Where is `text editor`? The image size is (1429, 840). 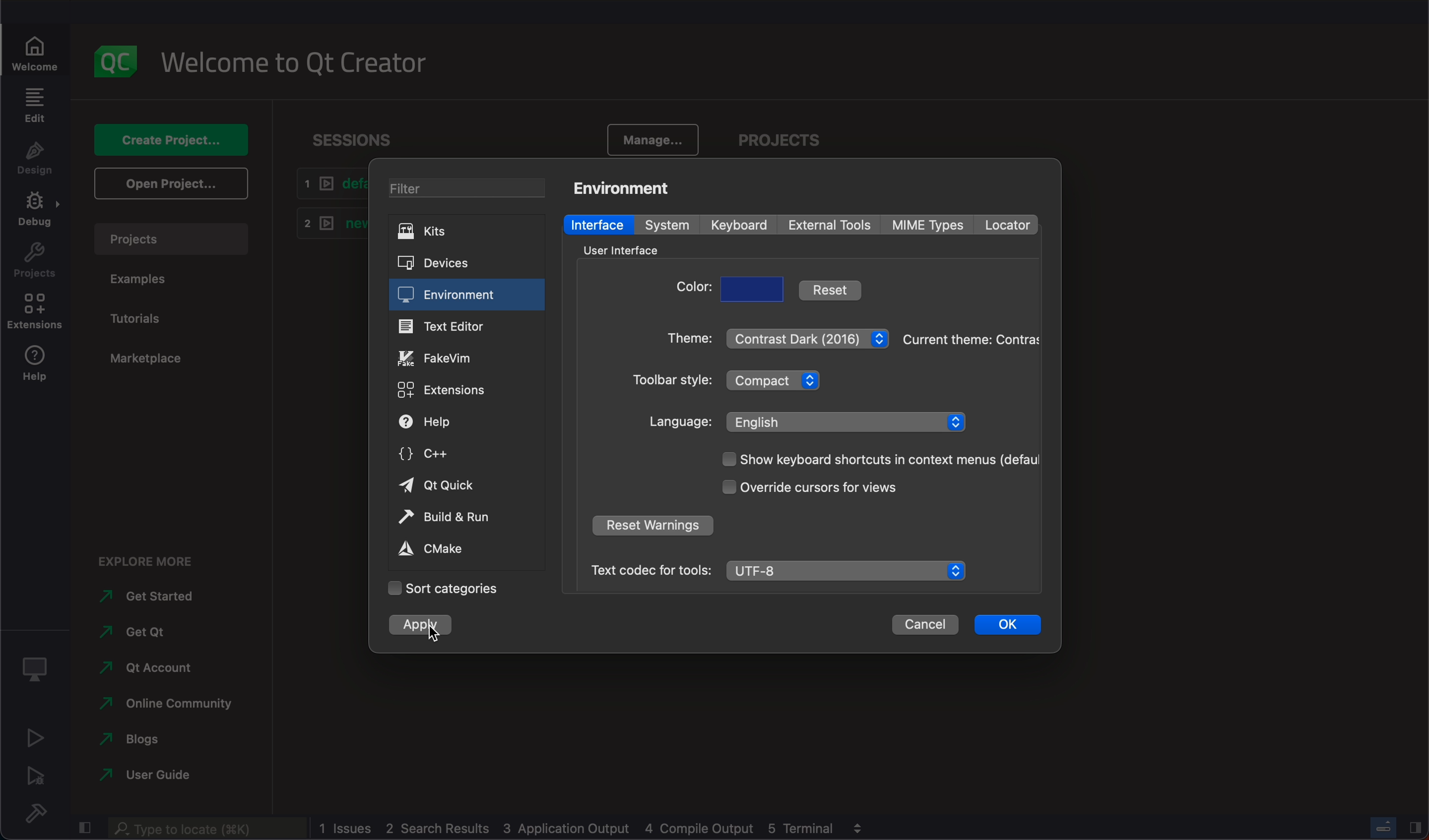 text editor is located at coordinates (464, 327).